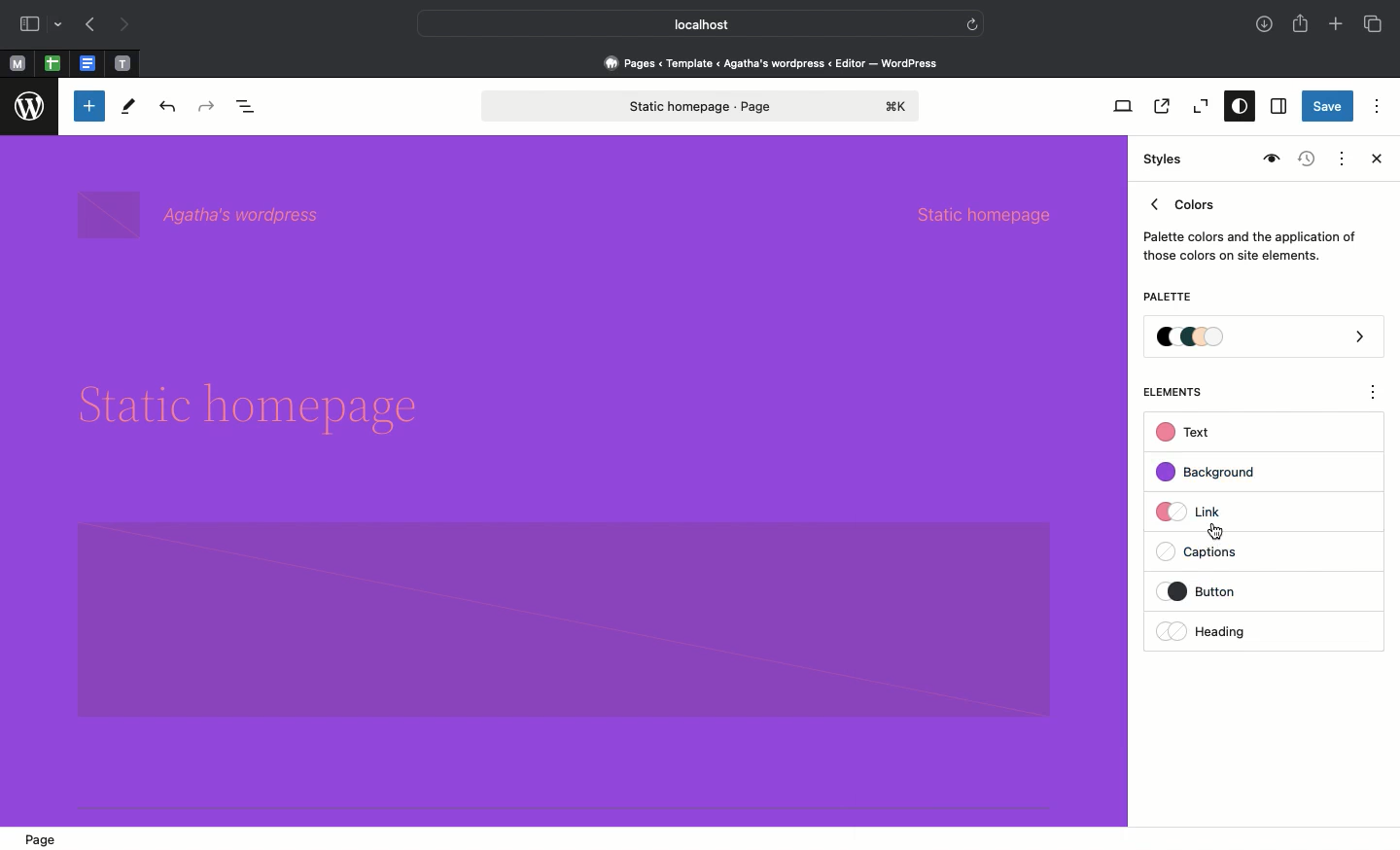 This screenshot has width=1400, height=850. What do you see at coordinates (1217, 532) in the screenshot?
I see `cursor` at bounding box center [1217, 532].